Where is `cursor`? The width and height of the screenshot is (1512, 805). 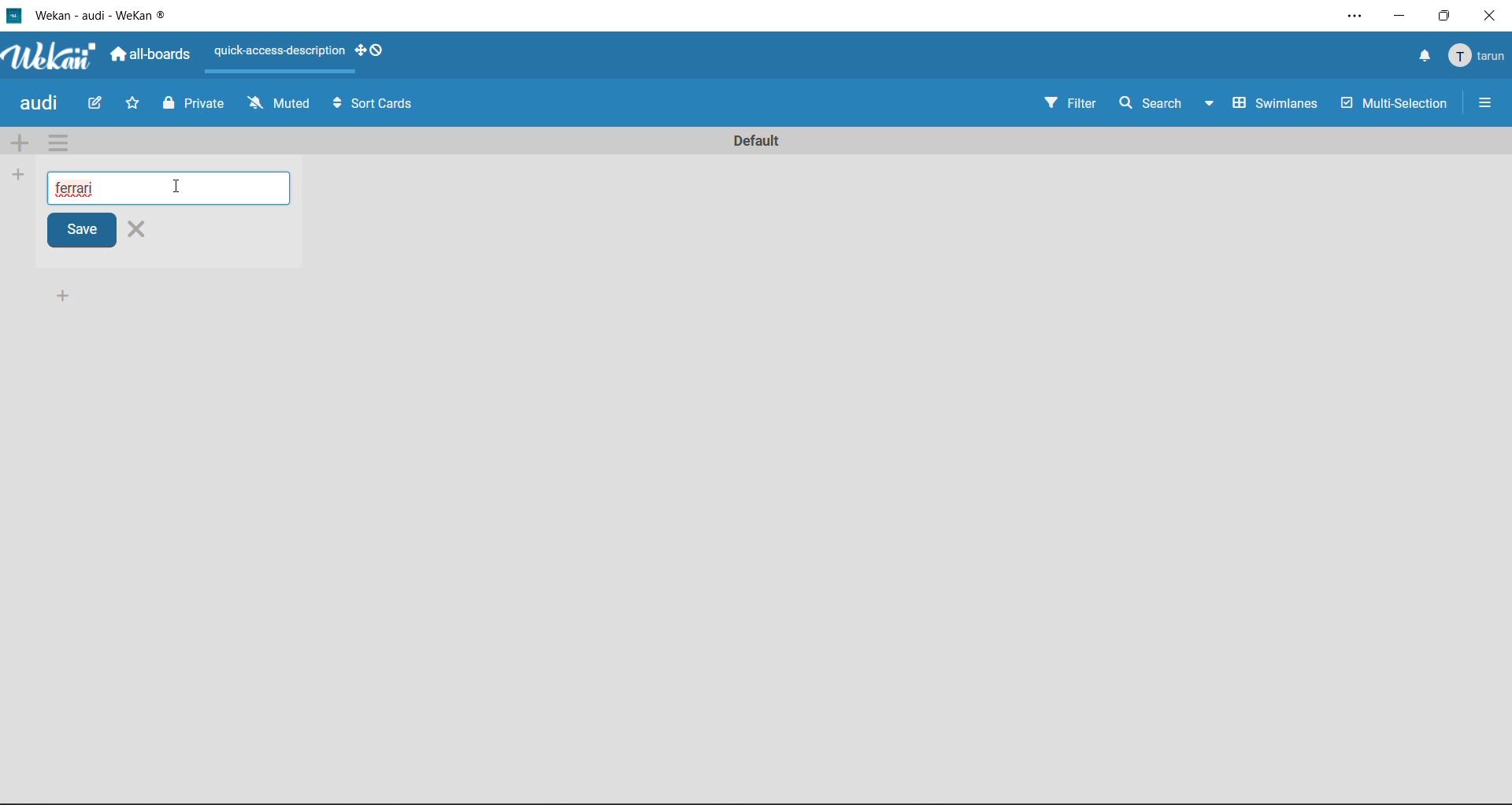
cursor is located at coordinates (186, 187).